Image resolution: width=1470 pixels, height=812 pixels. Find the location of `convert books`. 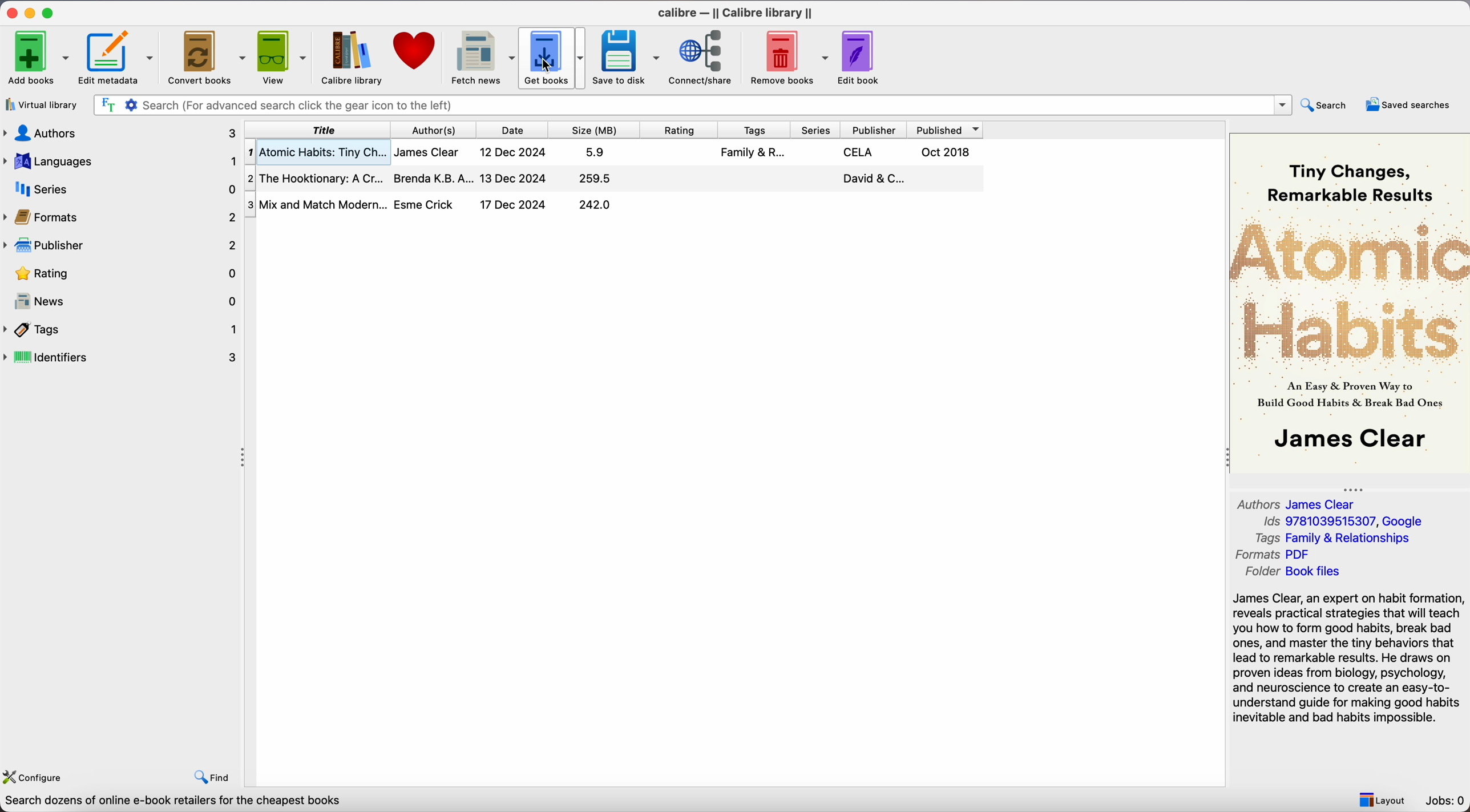

convert books is located at coordinates (205, 56).